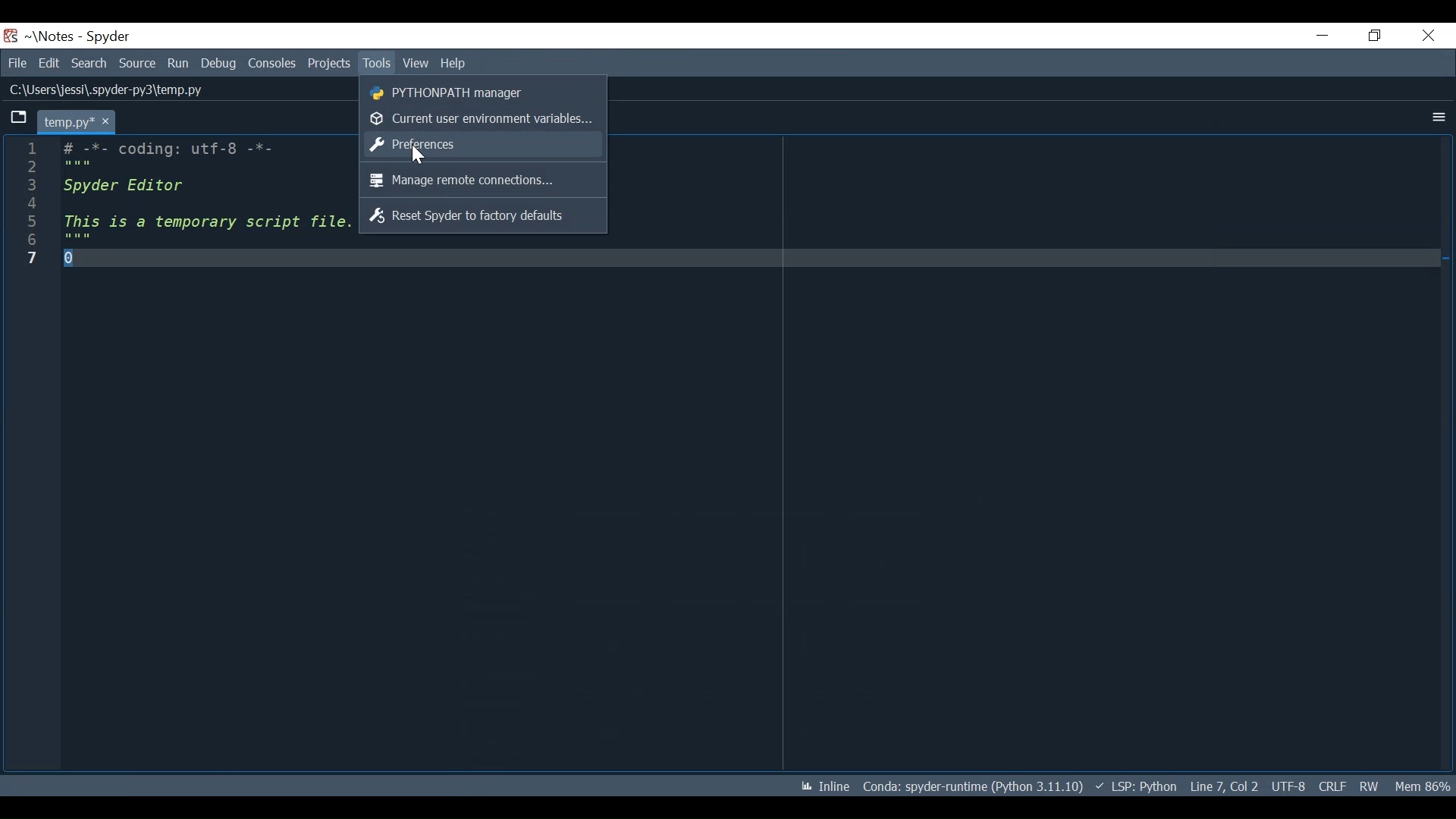  Describe the element at coordinates (472, 218) in the screenshot. I see `Reset Spyder to factory Defaults` at that location.